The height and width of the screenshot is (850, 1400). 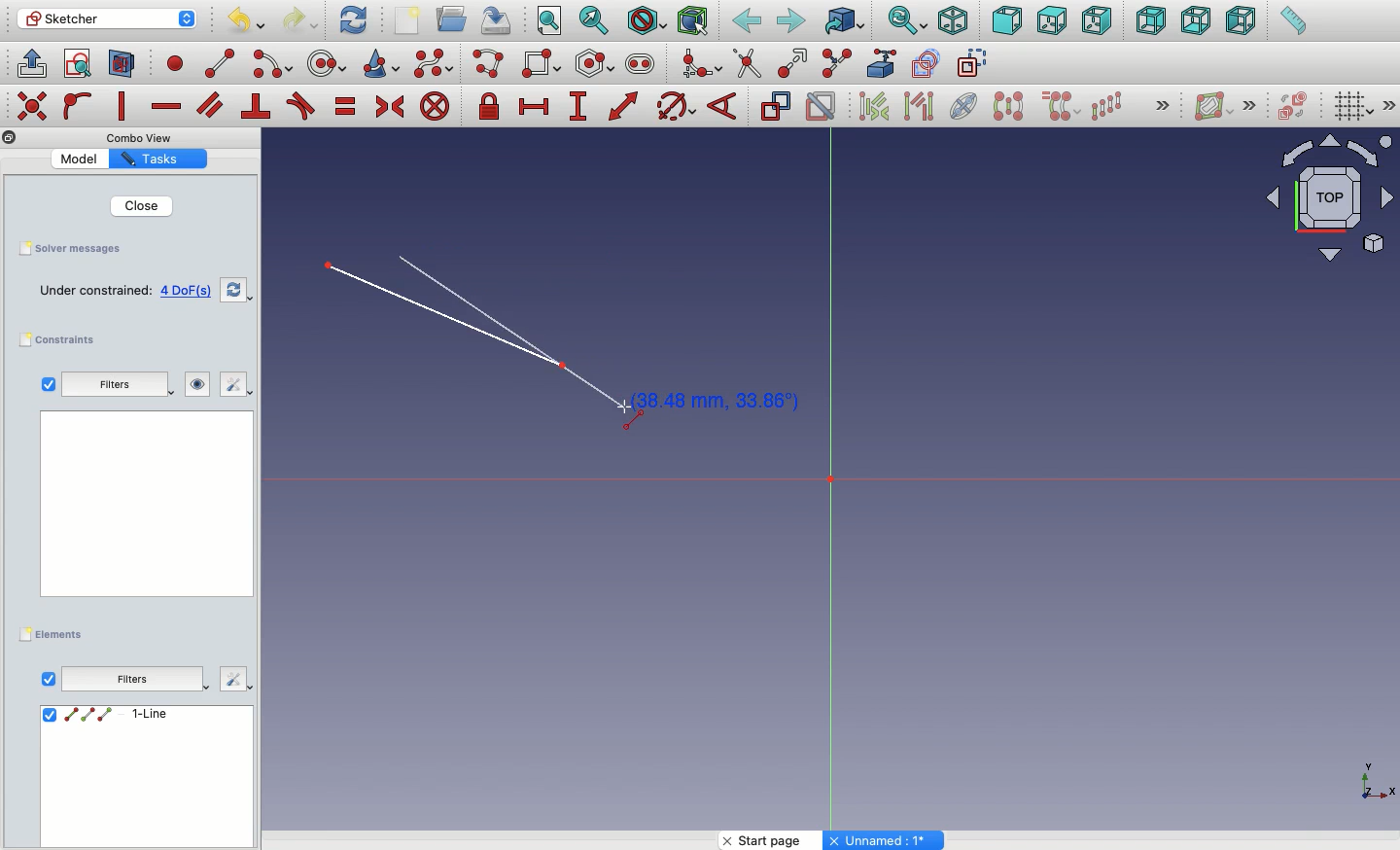 What do you see at coordinates (1098, 22) in the screenshot?
I see `Right` at bounding box center [1098, 22].